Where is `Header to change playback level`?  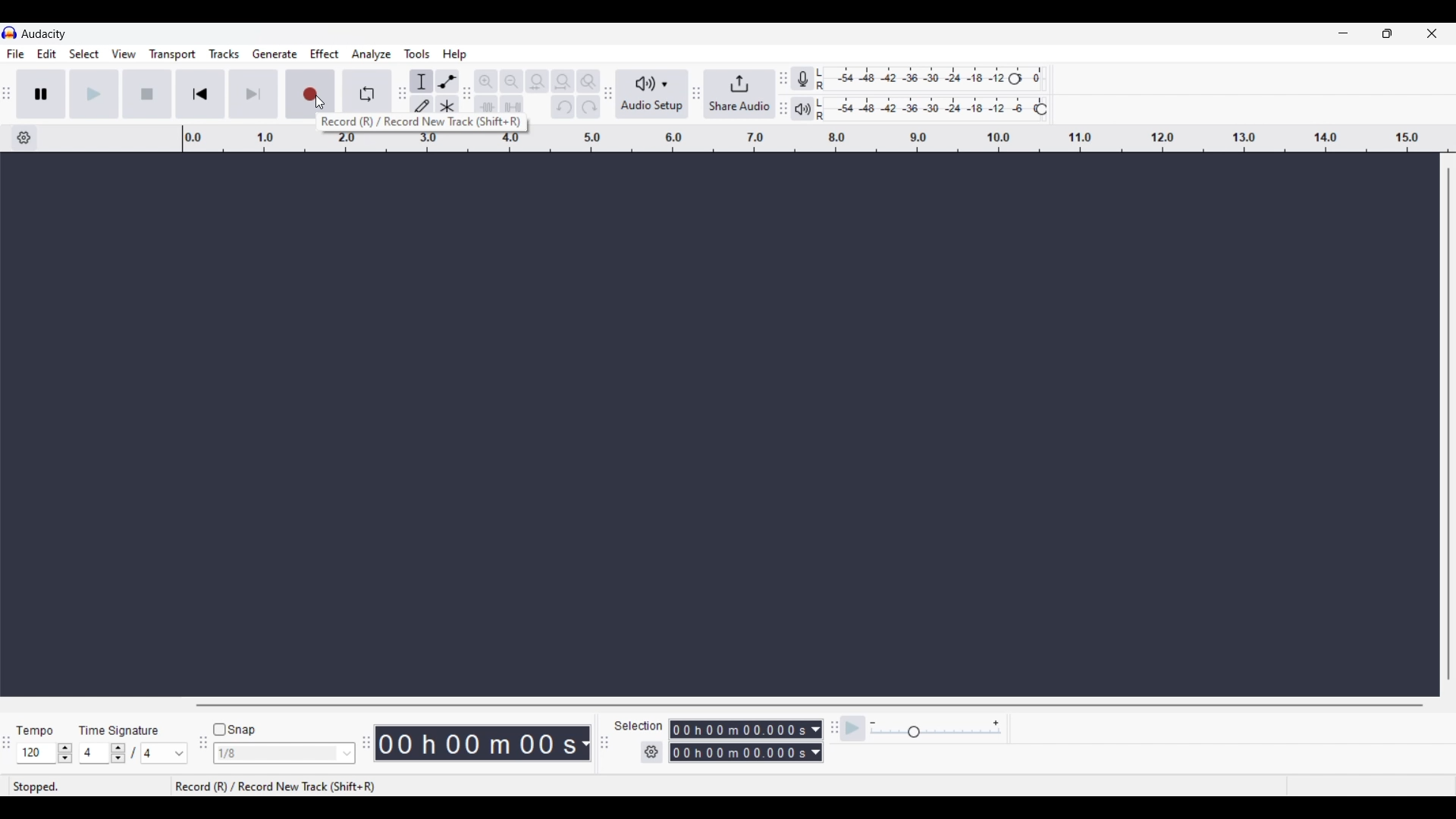 Header to change playback level is located at coordinates (1041, 109).